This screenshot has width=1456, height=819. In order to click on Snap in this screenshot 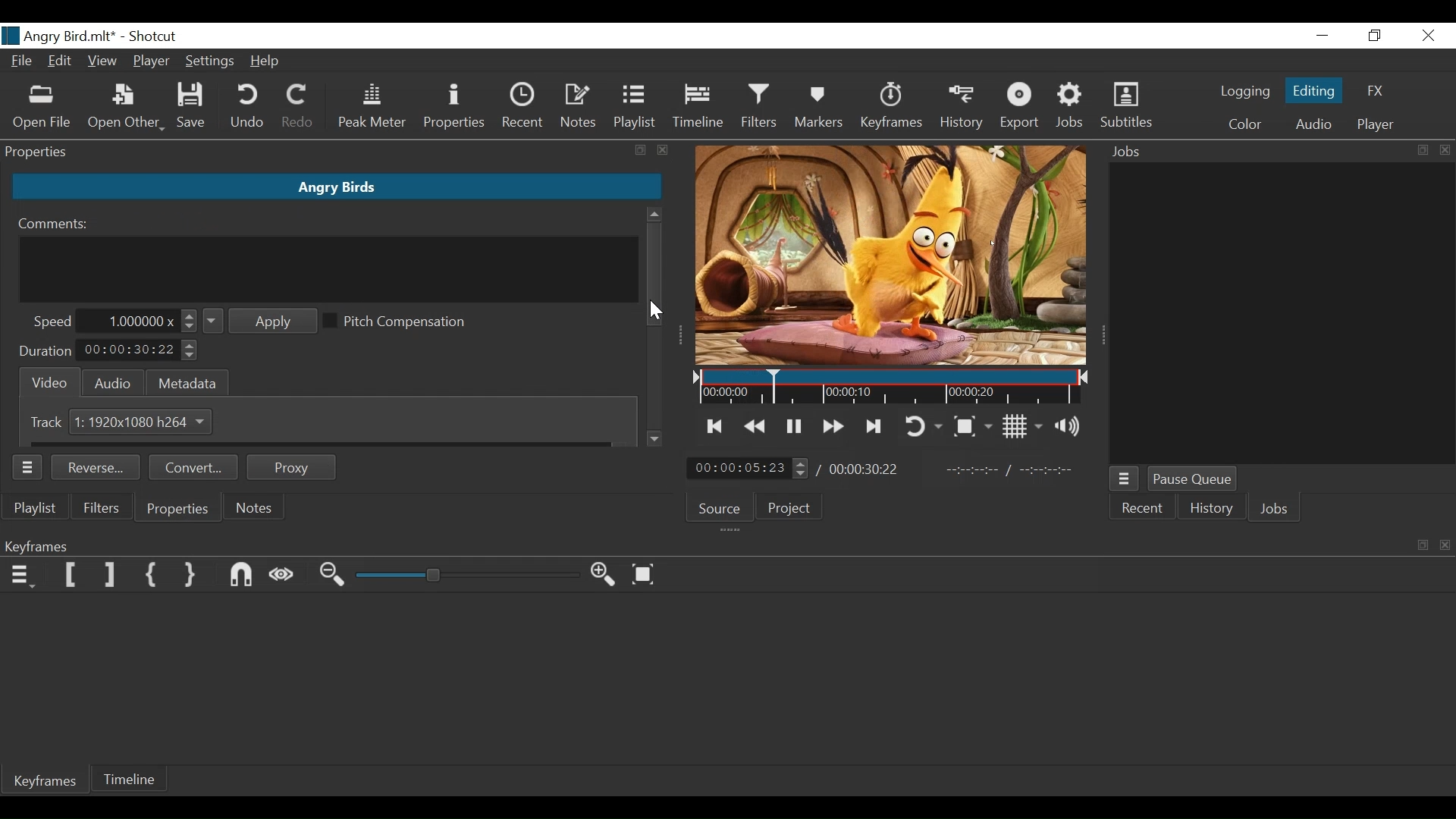, I will do `click(242, 576)`.